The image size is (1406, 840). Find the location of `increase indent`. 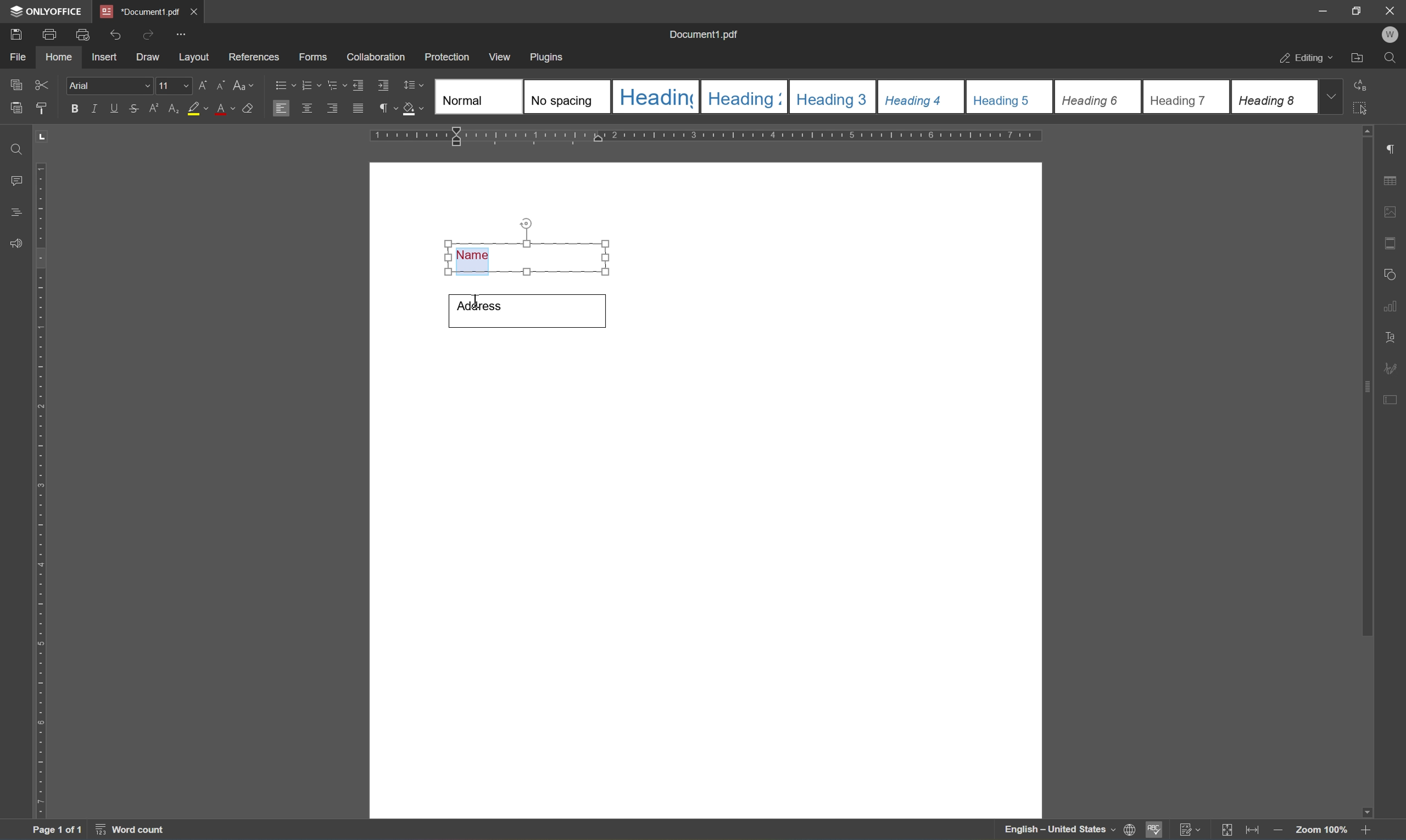

increase indent is located at coordinates (384, 85).